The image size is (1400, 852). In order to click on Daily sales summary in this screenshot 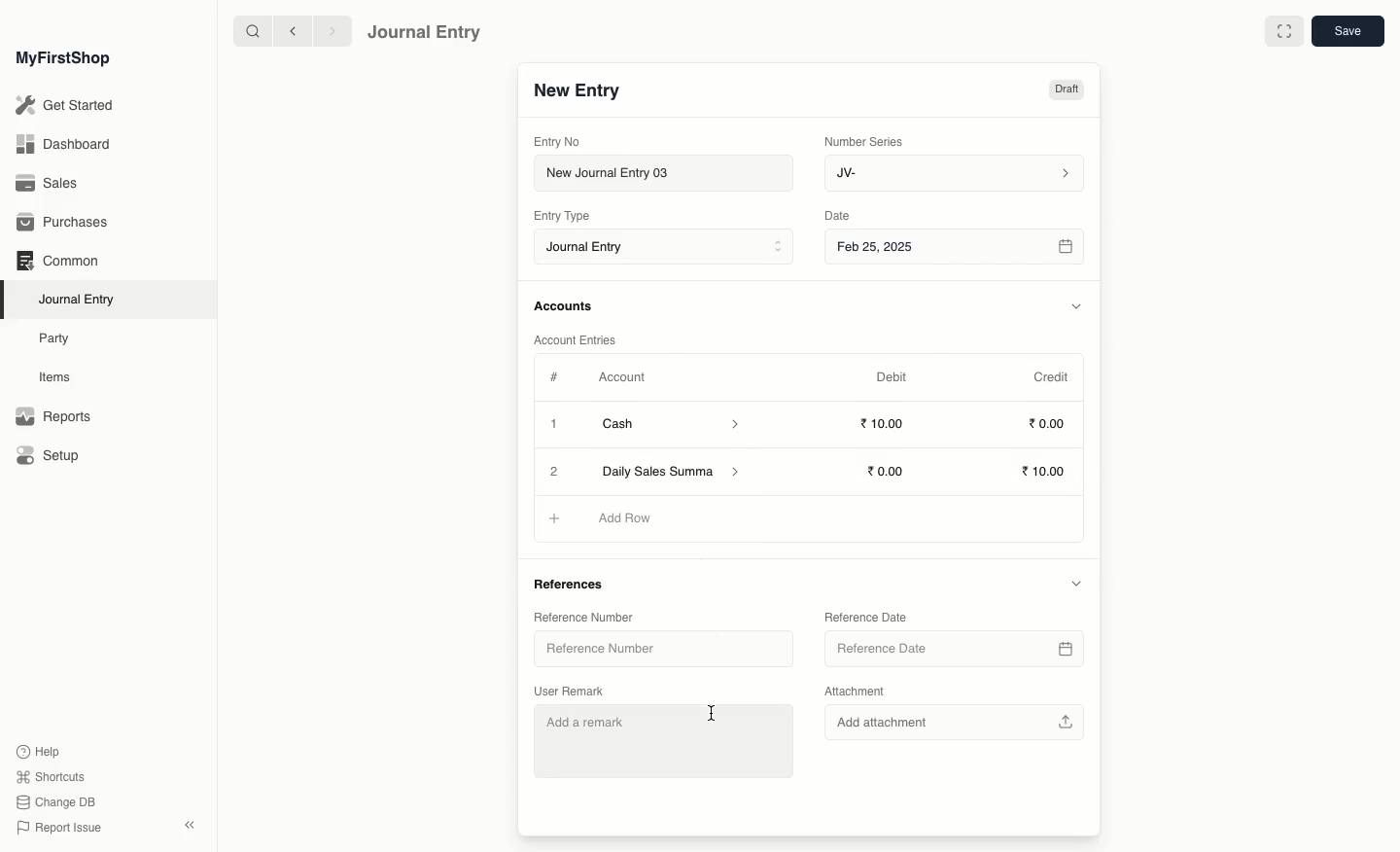, I will do `click(673, 473)`.